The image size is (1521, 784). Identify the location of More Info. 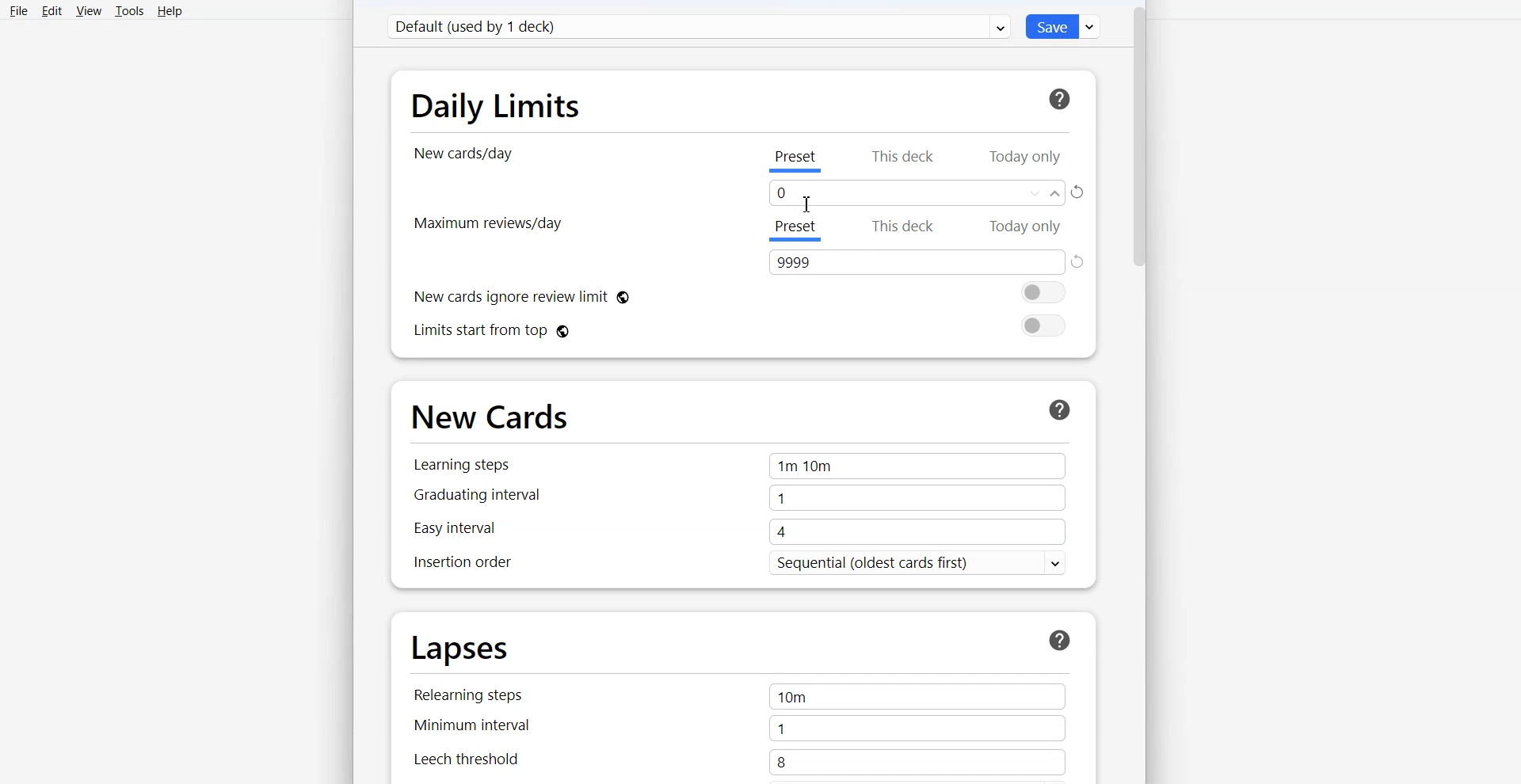
(1059, 409).